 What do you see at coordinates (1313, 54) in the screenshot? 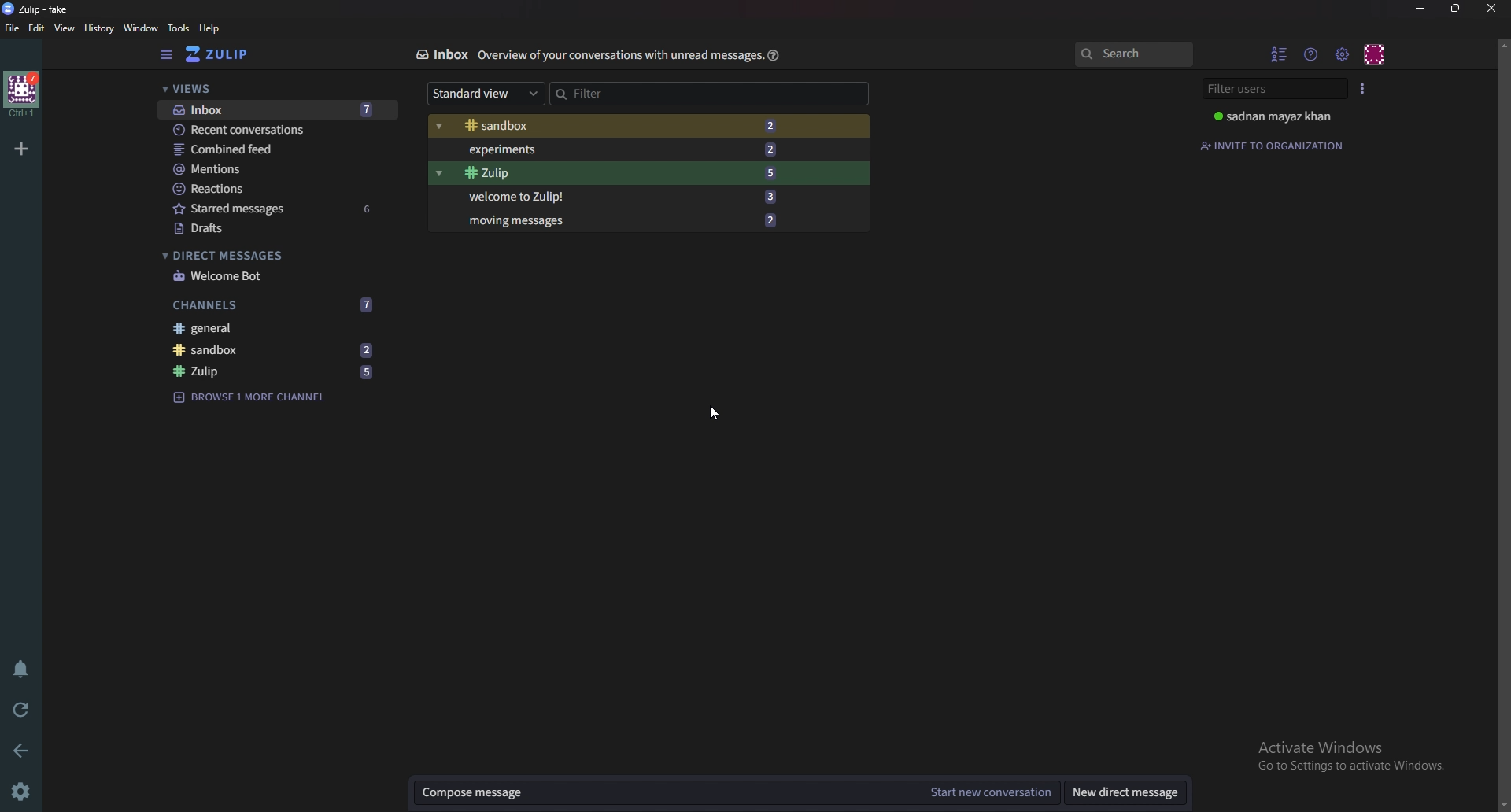
I see `Help menu` at bounding box center [1313, 54].